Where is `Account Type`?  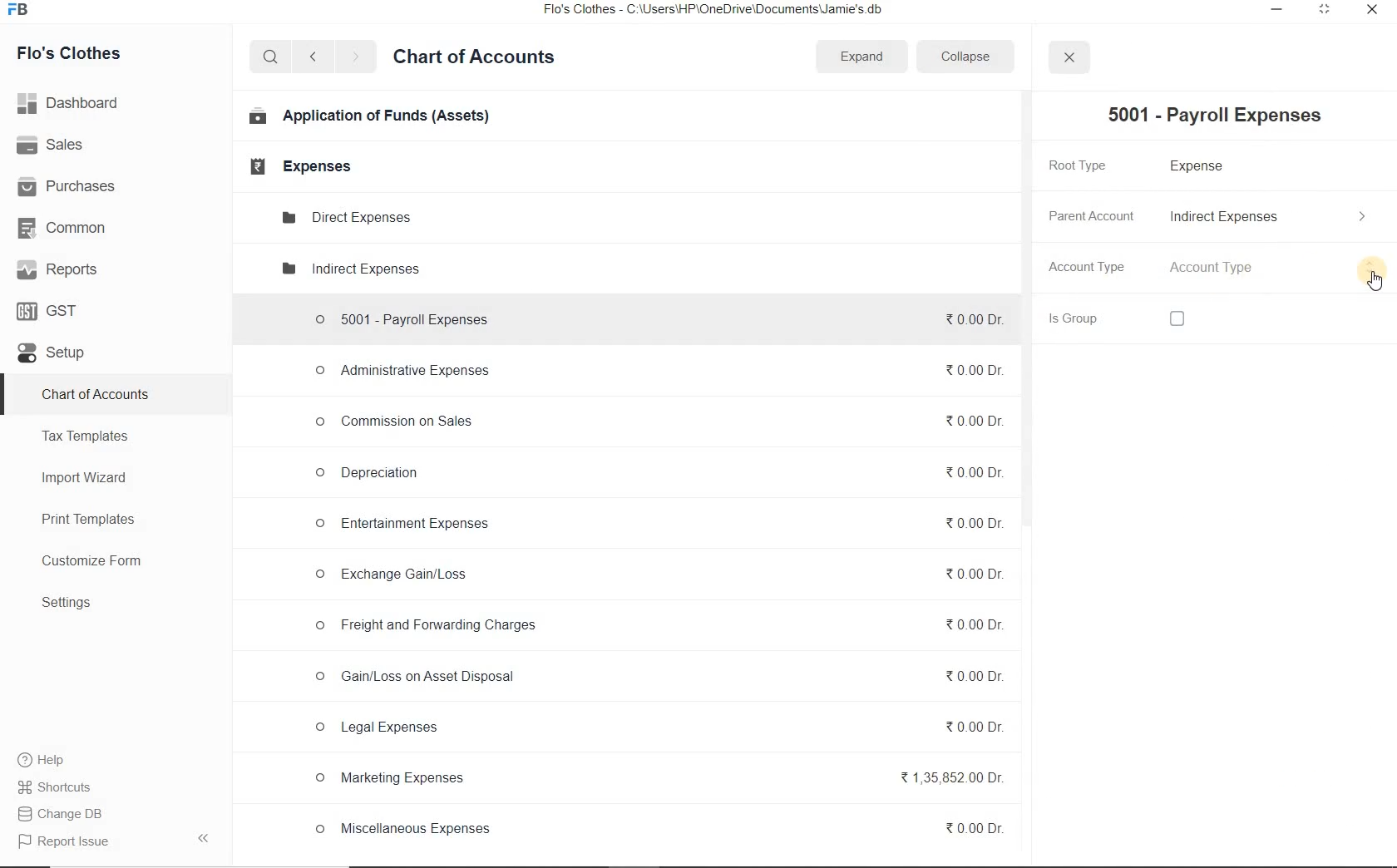
Account Type is located at coordinates (1089, 269).